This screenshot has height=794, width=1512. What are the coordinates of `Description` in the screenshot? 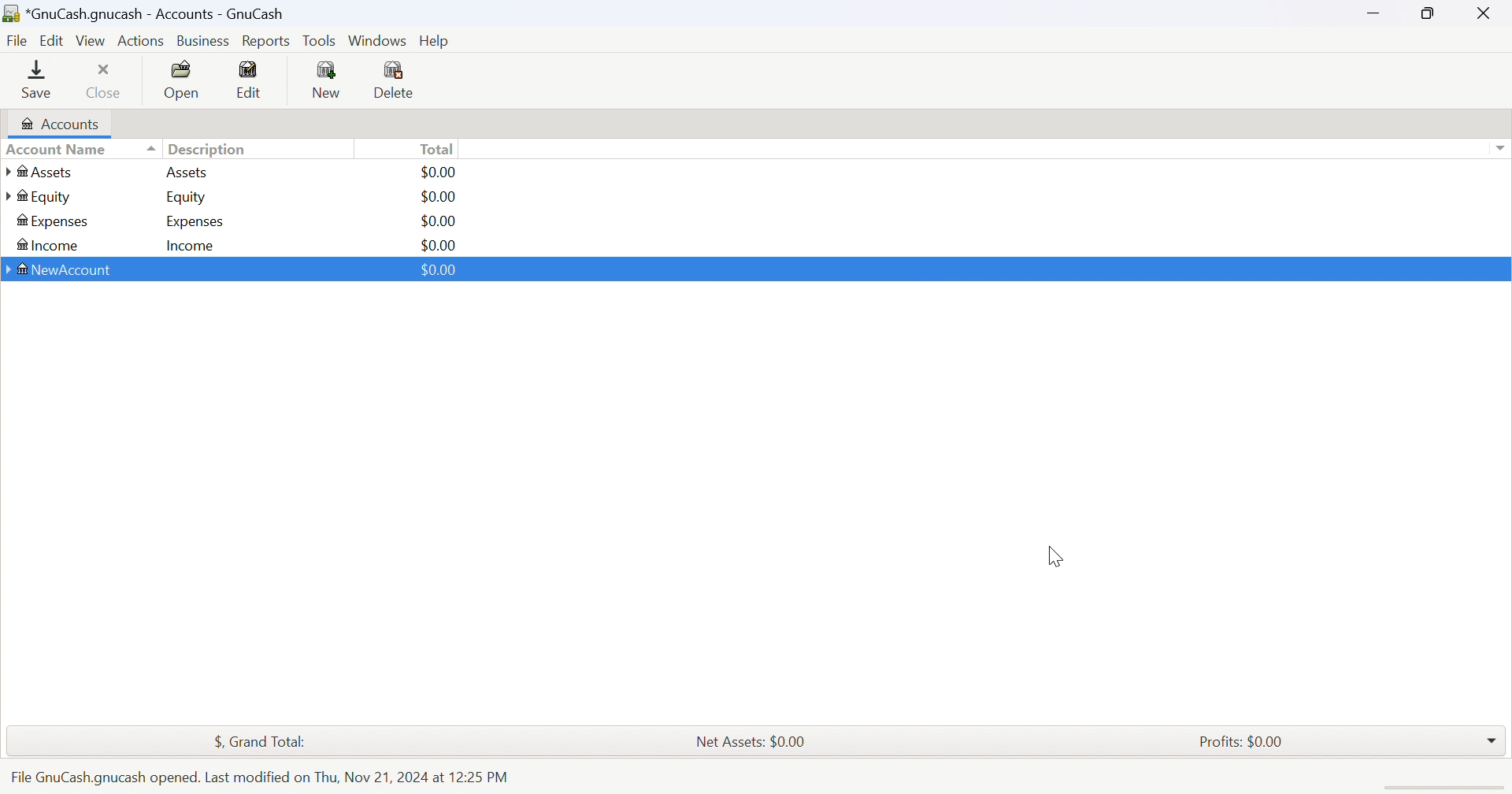 It's located at (208, 150).